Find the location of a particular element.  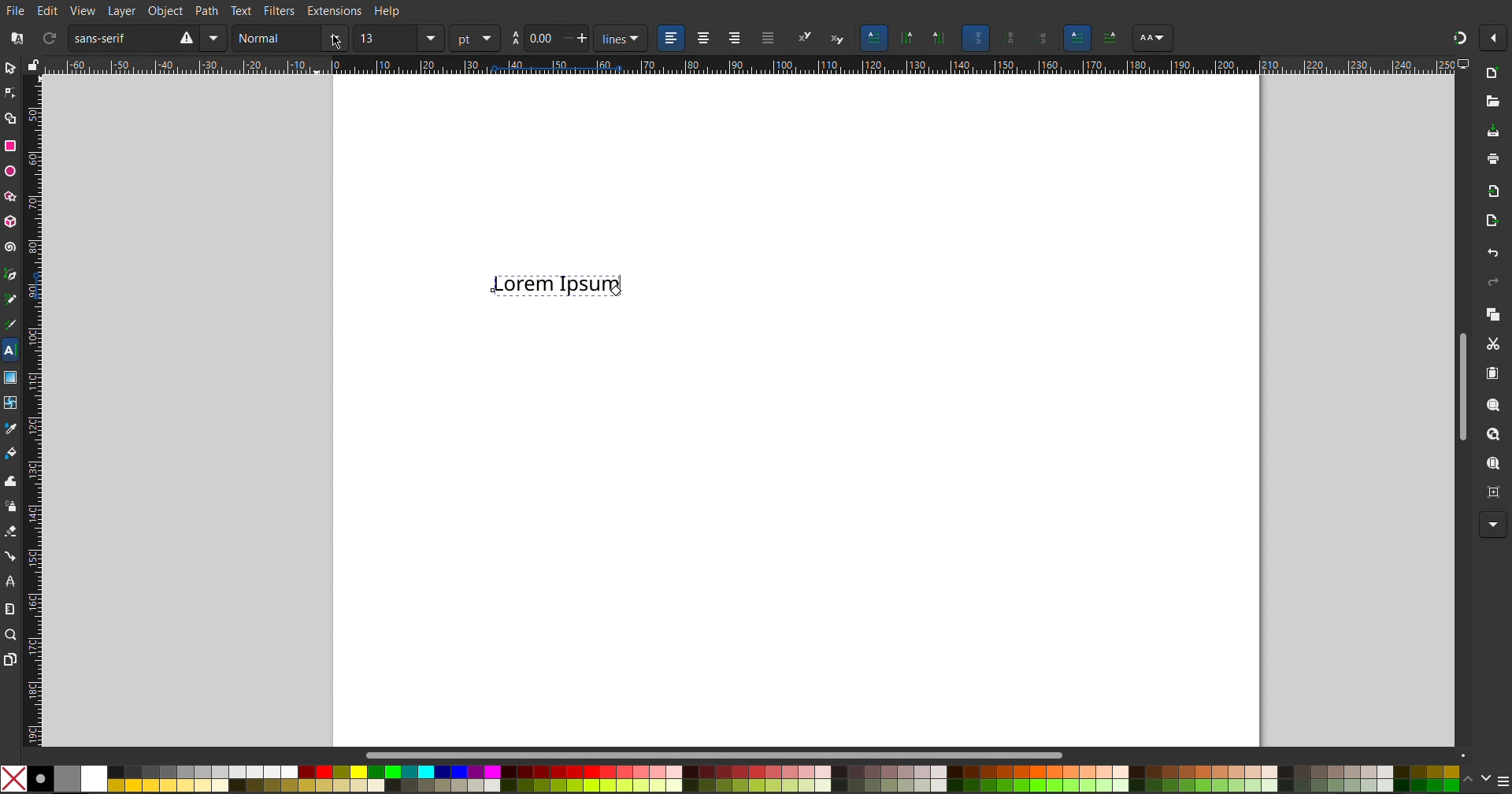

Right Align is located at coordinates (736, 39).